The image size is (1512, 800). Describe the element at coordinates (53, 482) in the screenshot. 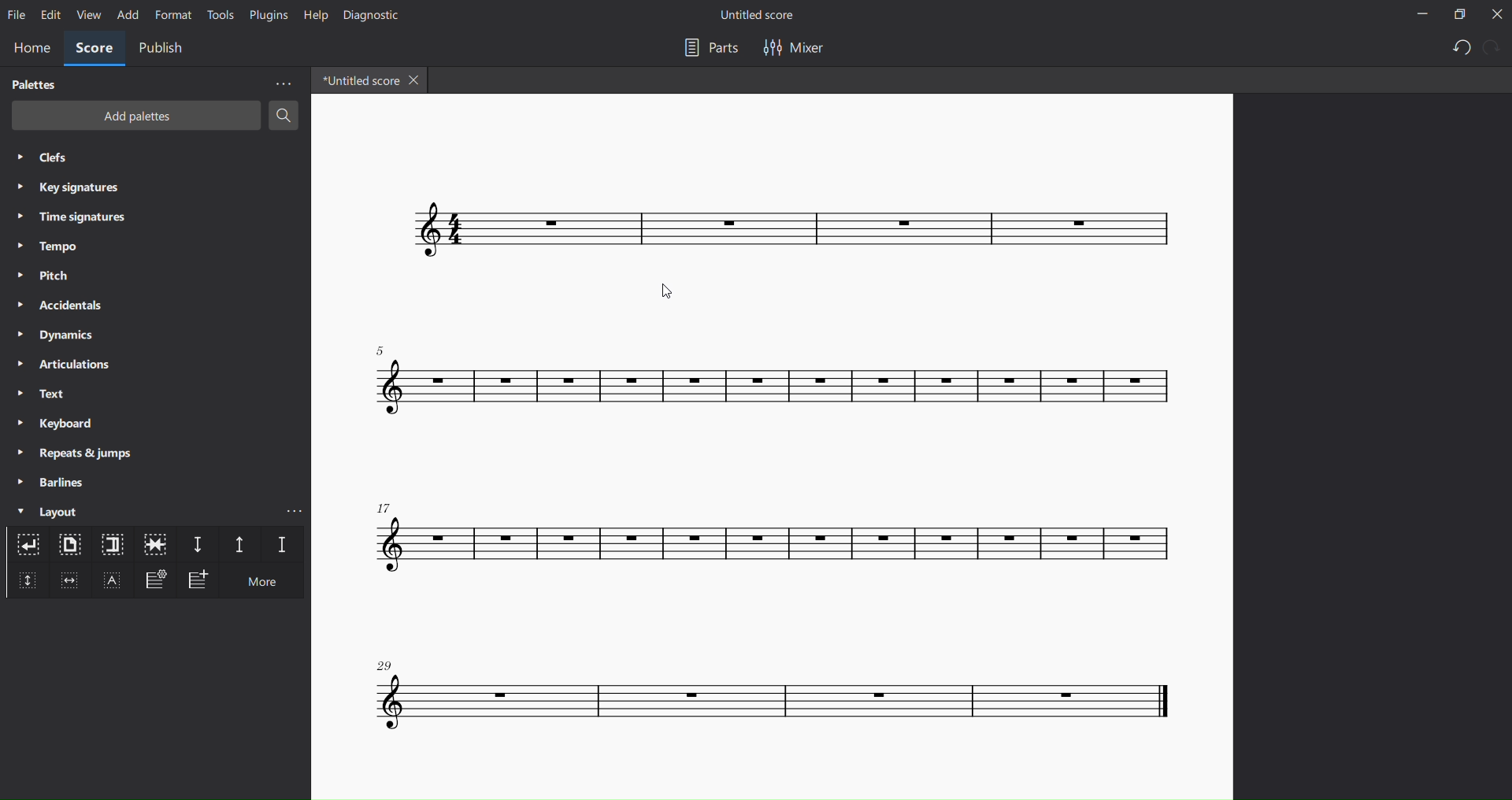

I see `barlines` at that location.